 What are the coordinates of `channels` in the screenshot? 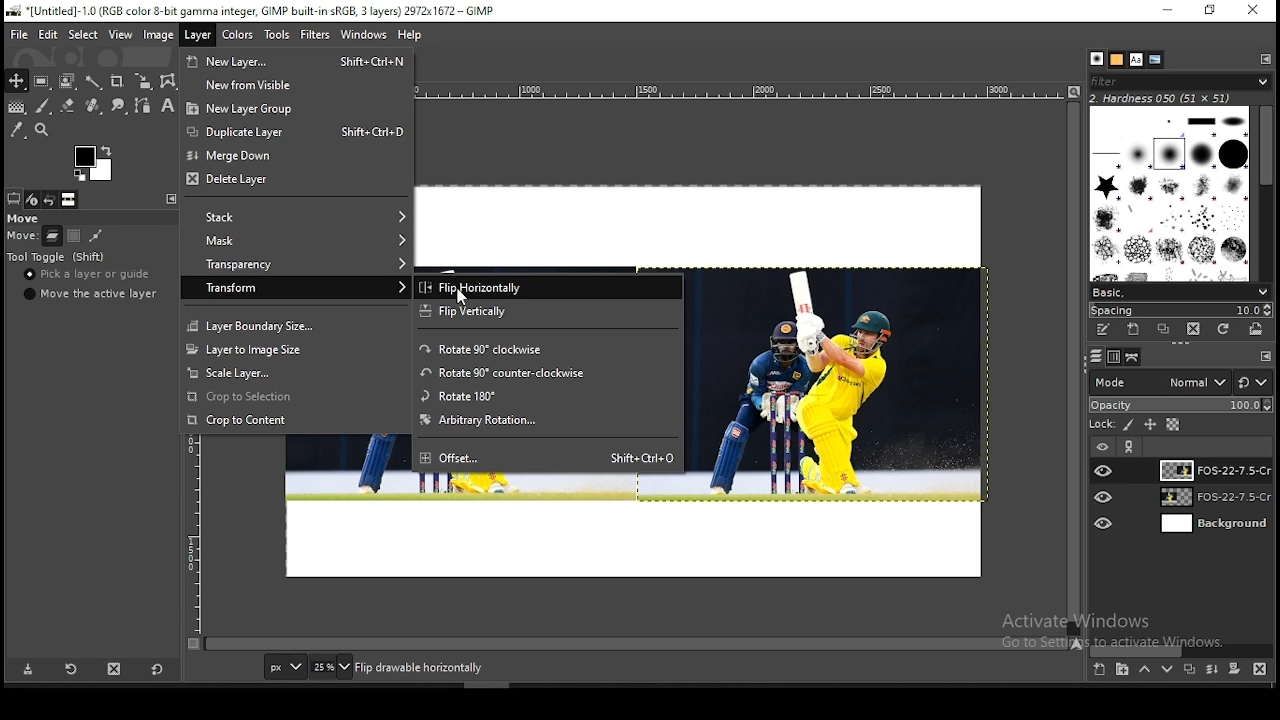 It's located at (1112, 358).